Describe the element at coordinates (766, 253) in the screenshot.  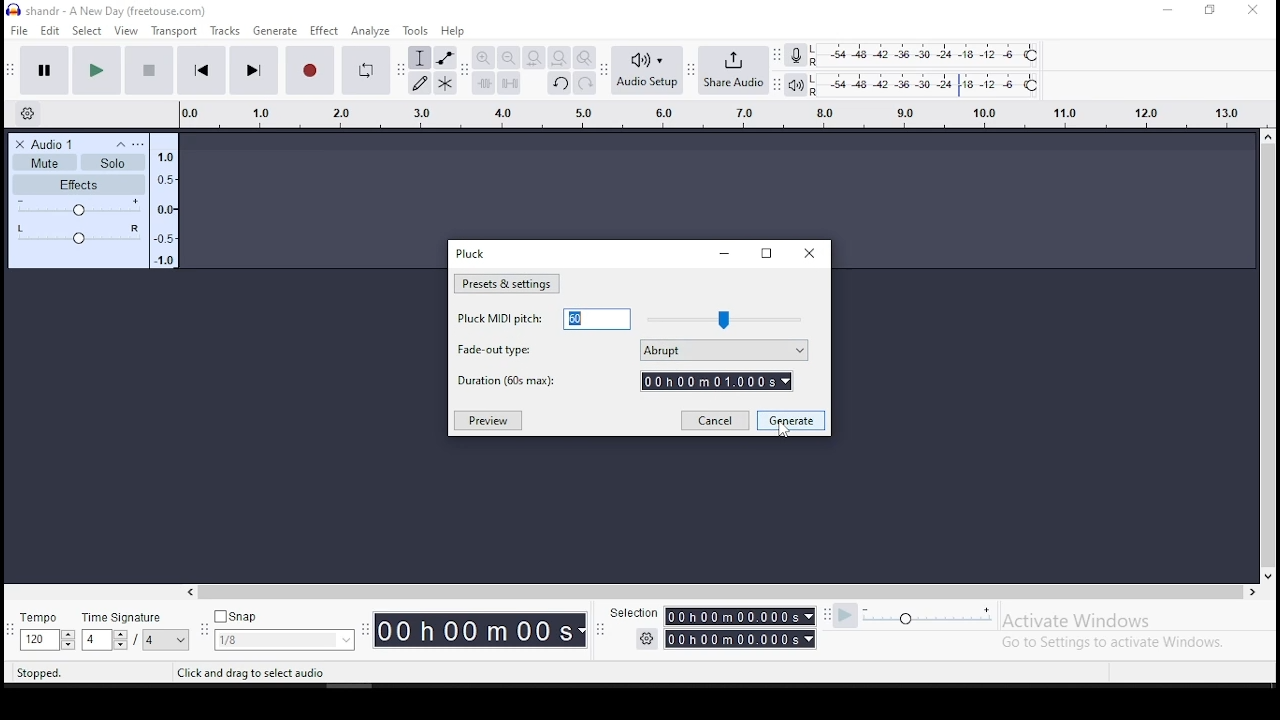
I see `restore` at that location.